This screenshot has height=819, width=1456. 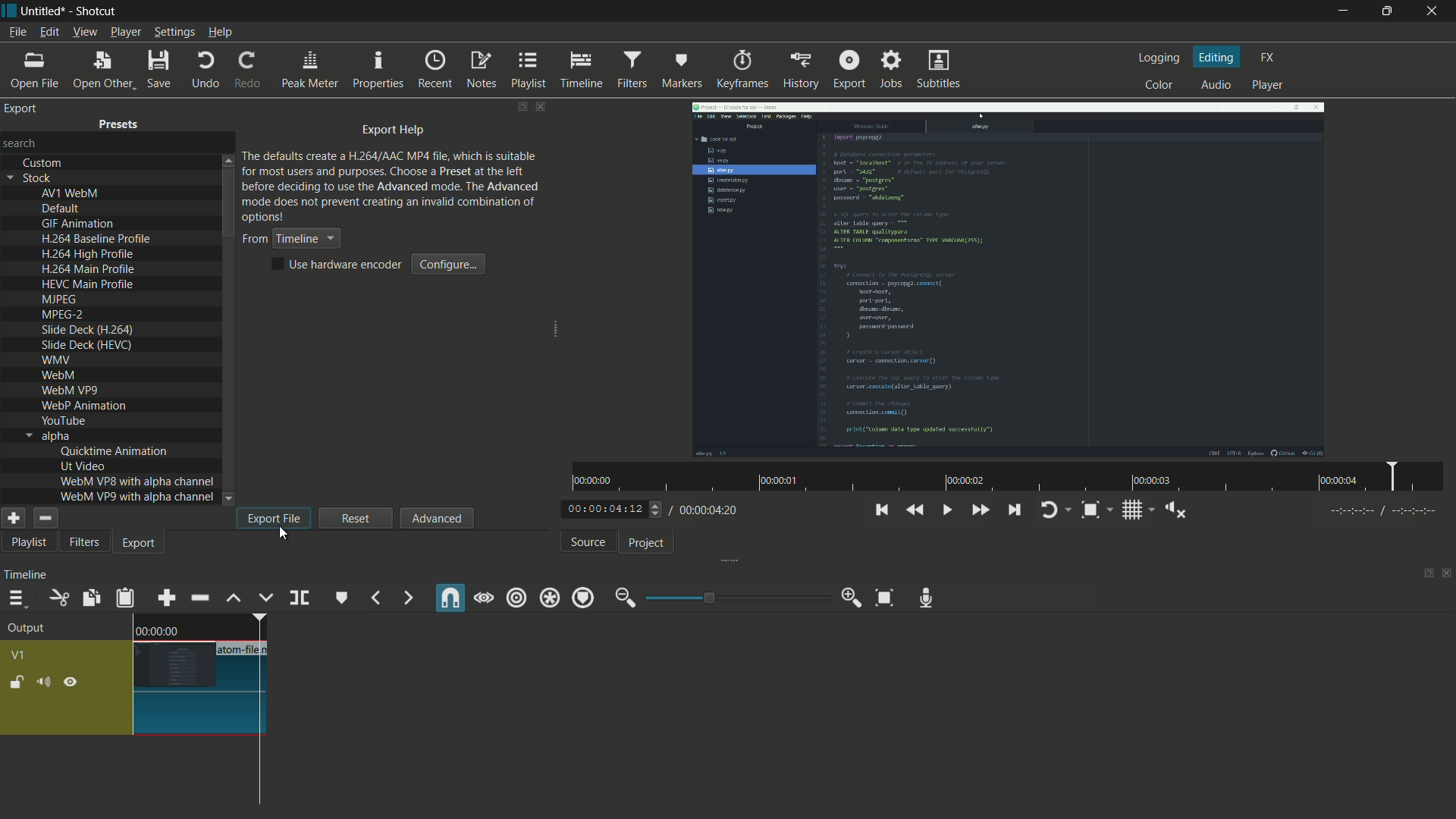 What do you see at coordinates (227, 159) in the screenshot?
I see `scroll up` at bounding box center [227, 159].